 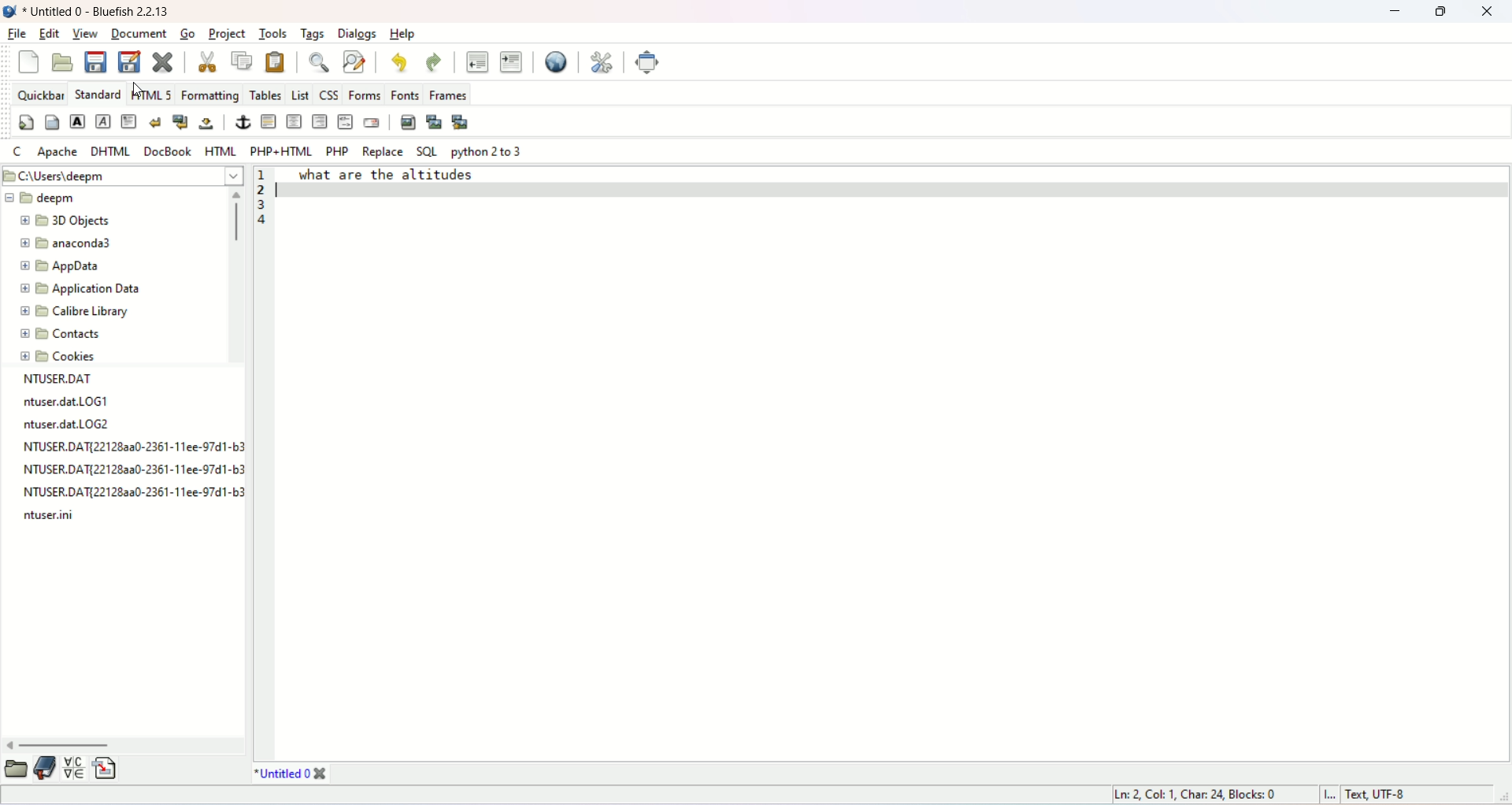 I want to click on document, so click(x=137, y=33).